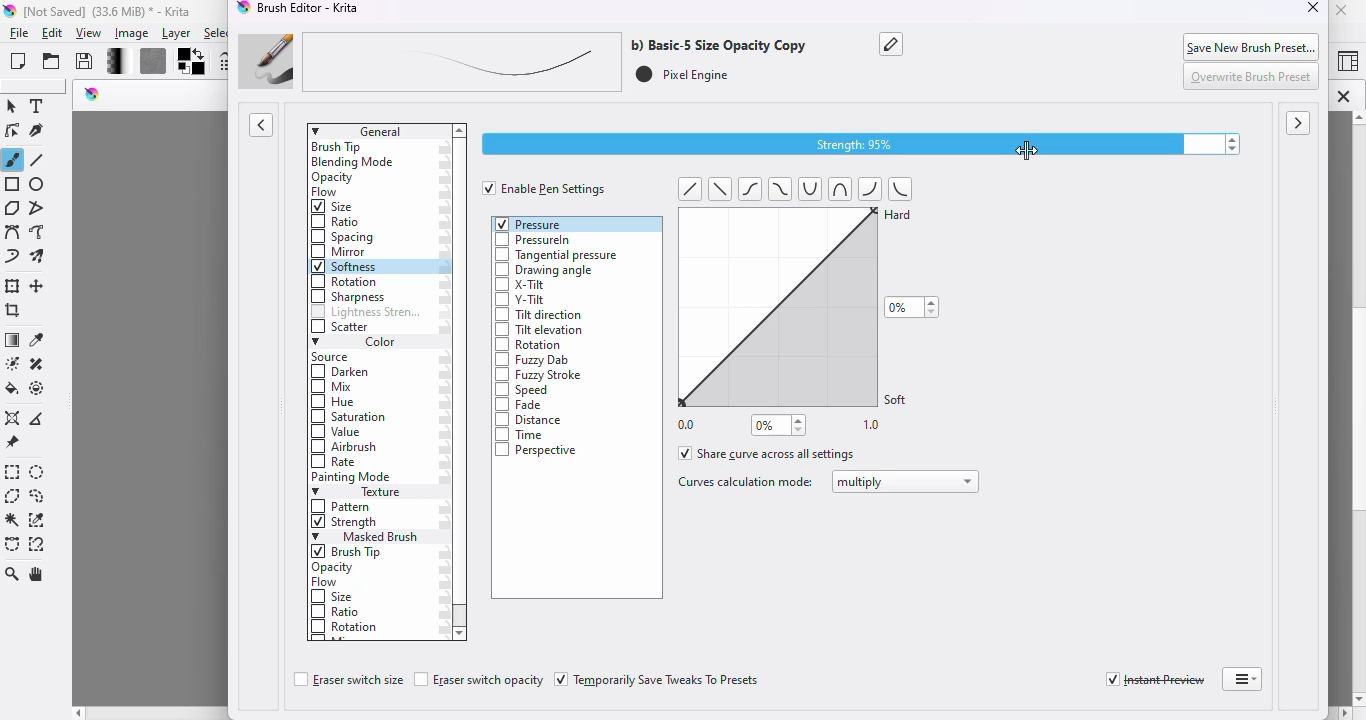 The width and height of the screenshot is (1366, 720). Describe the element at coordinates (12, 418) in the screenshot. I see `assistant tool` at that location.